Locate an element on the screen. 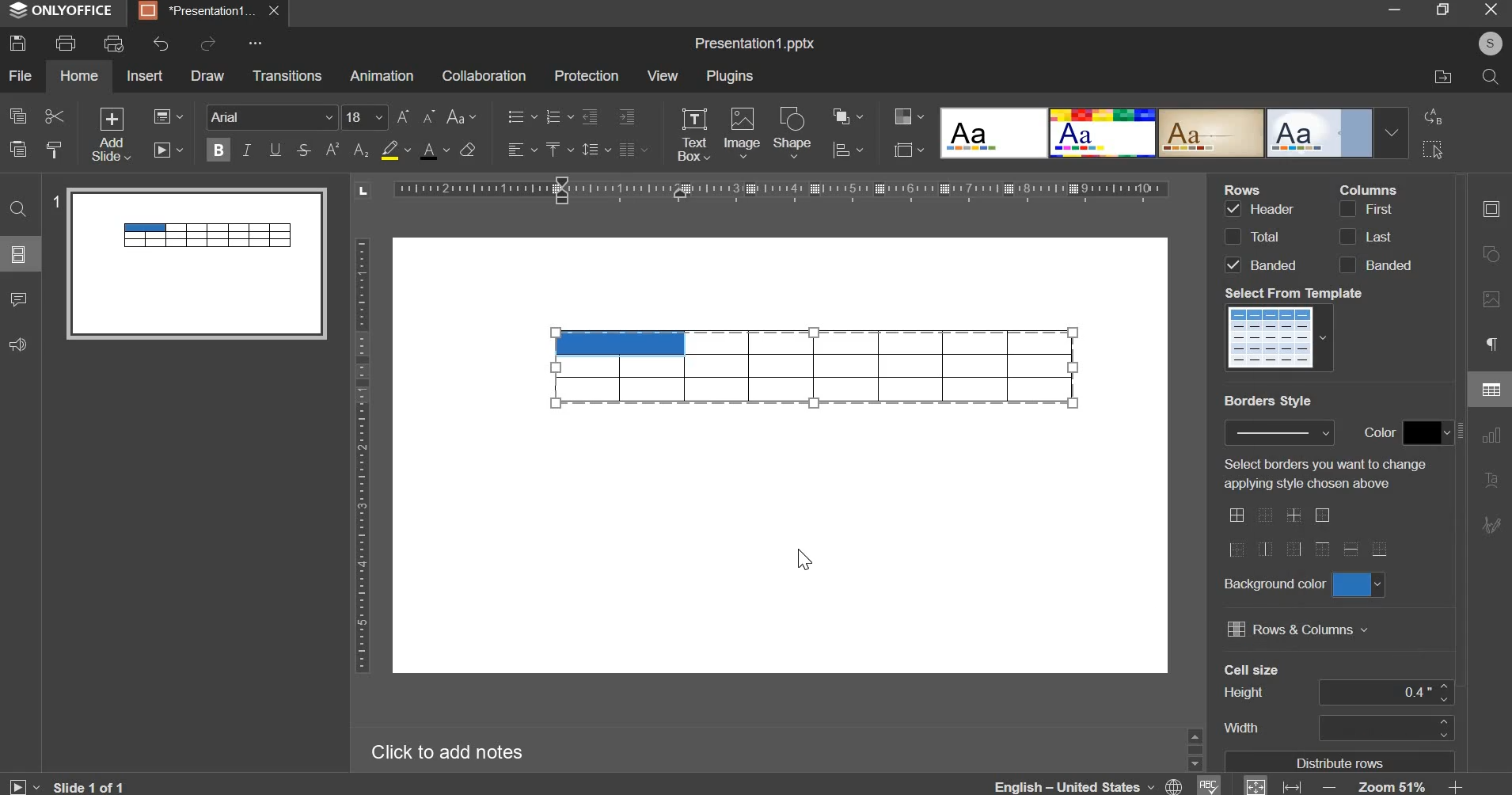  copy is located at coordinates (18, 115).